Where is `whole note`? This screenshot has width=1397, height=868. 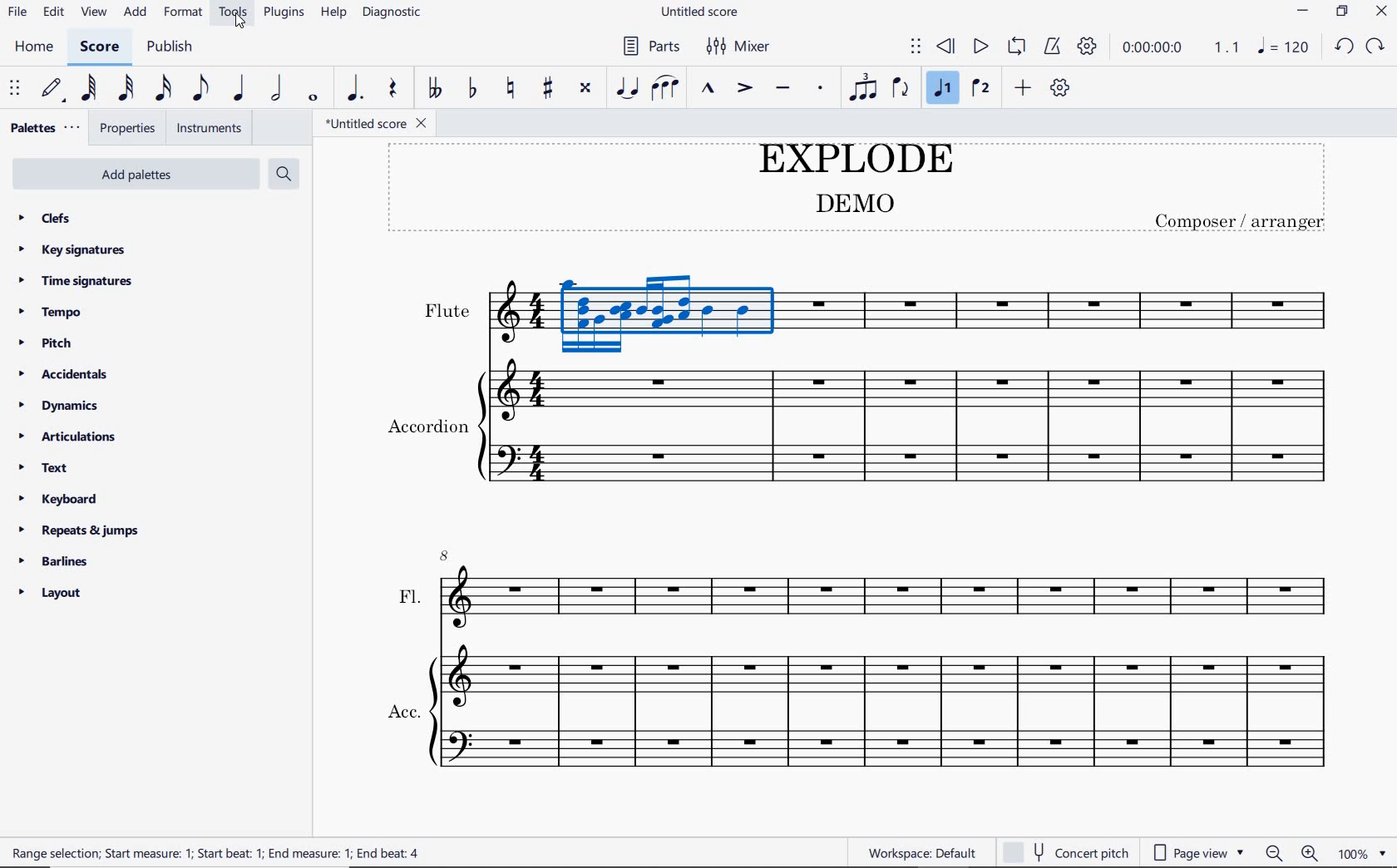 whole note is located at coordinates (311, 99).